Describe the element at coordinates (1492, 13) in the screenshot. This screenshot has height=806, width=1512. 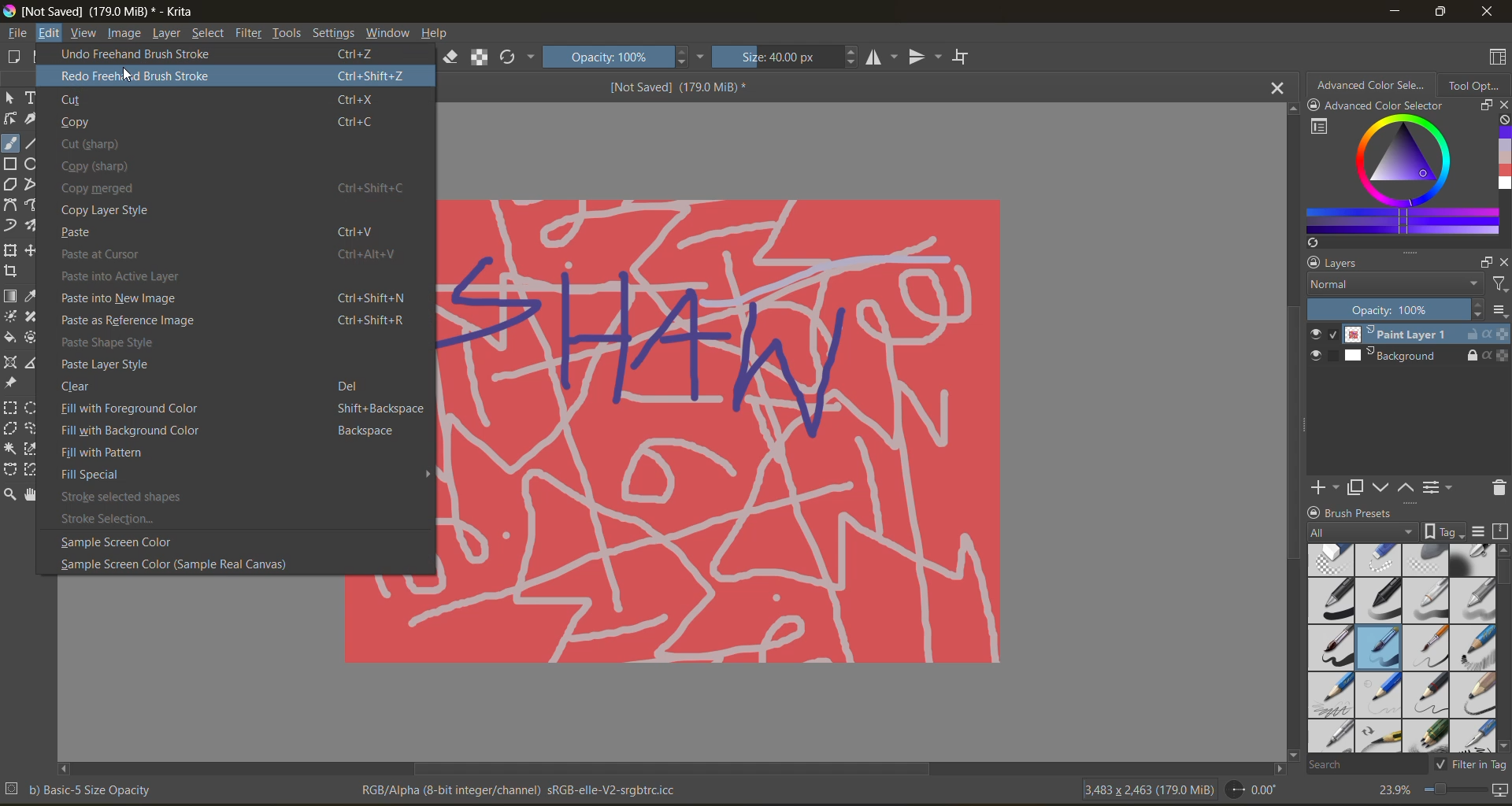
I see `close` at that location.